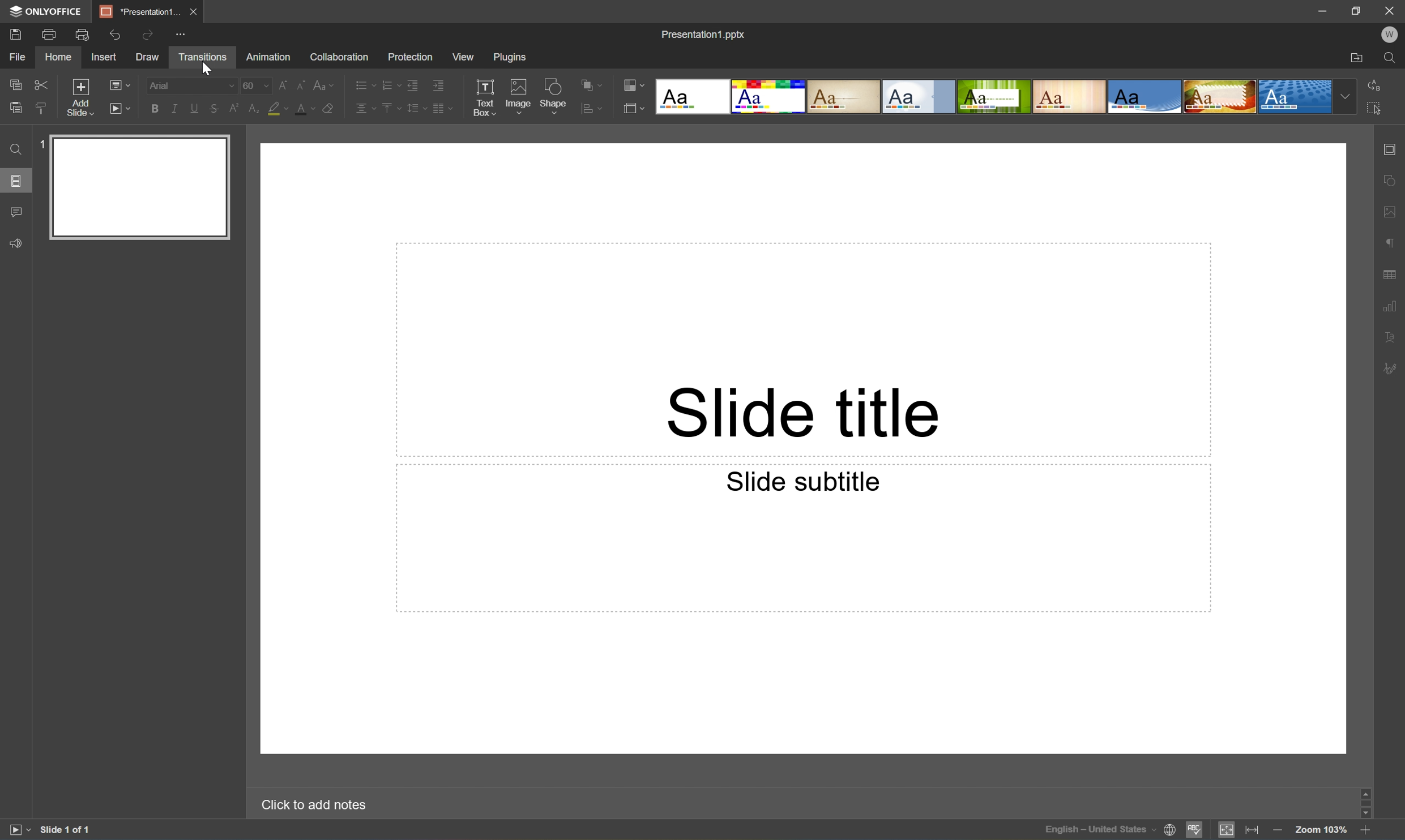 This screenshot has height=840, width=1405. Describe the element at coordinates (361, 108) in the screenshot. I see `Horizontally align` at that location.